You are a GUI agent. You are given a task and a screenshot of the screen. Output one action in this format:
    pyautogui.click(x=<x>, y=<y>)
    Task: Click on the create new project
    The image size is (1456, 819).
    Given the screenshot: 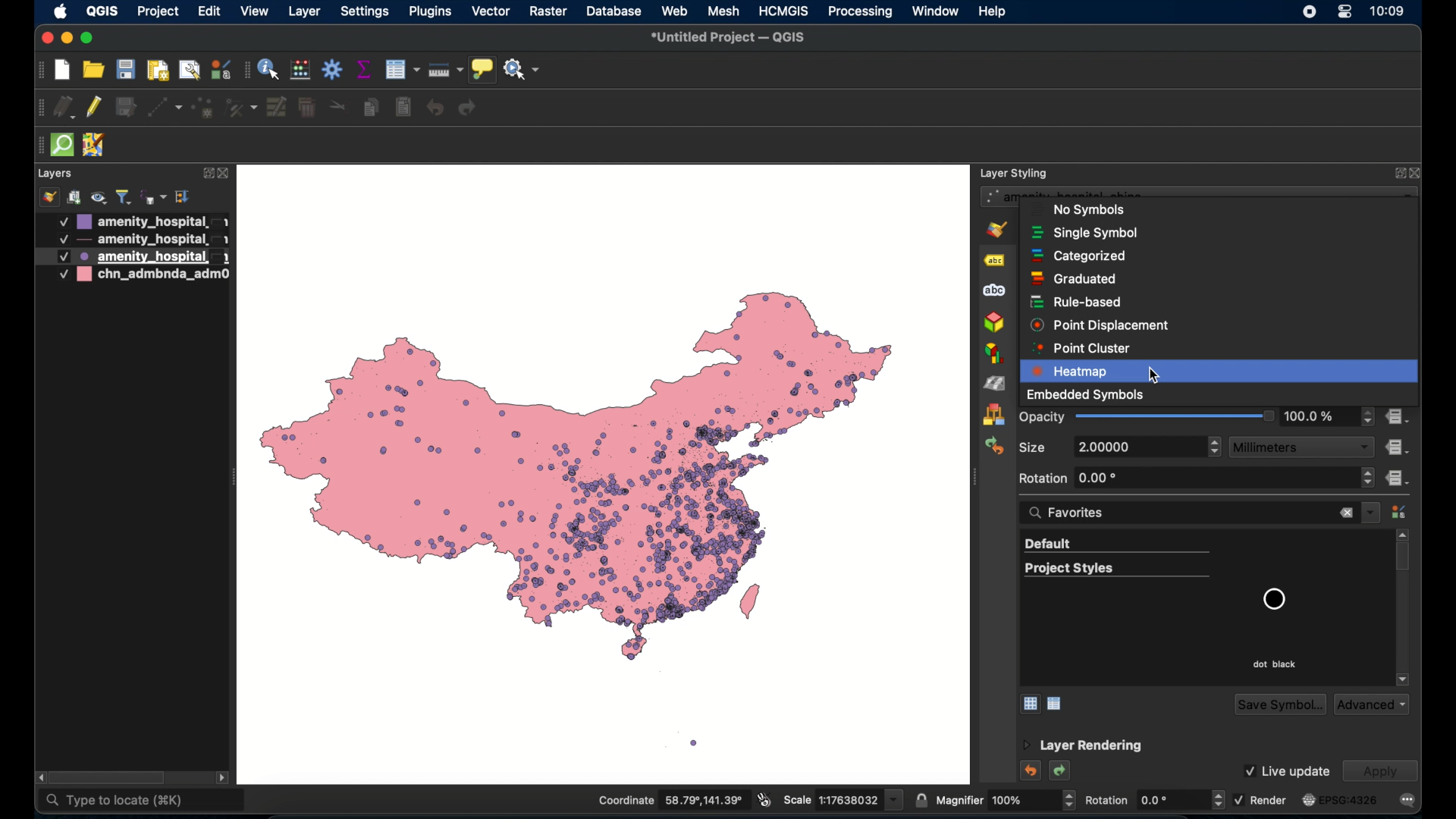 What is the action you would take?
    pyautogui.click(x=61, y=69)
    